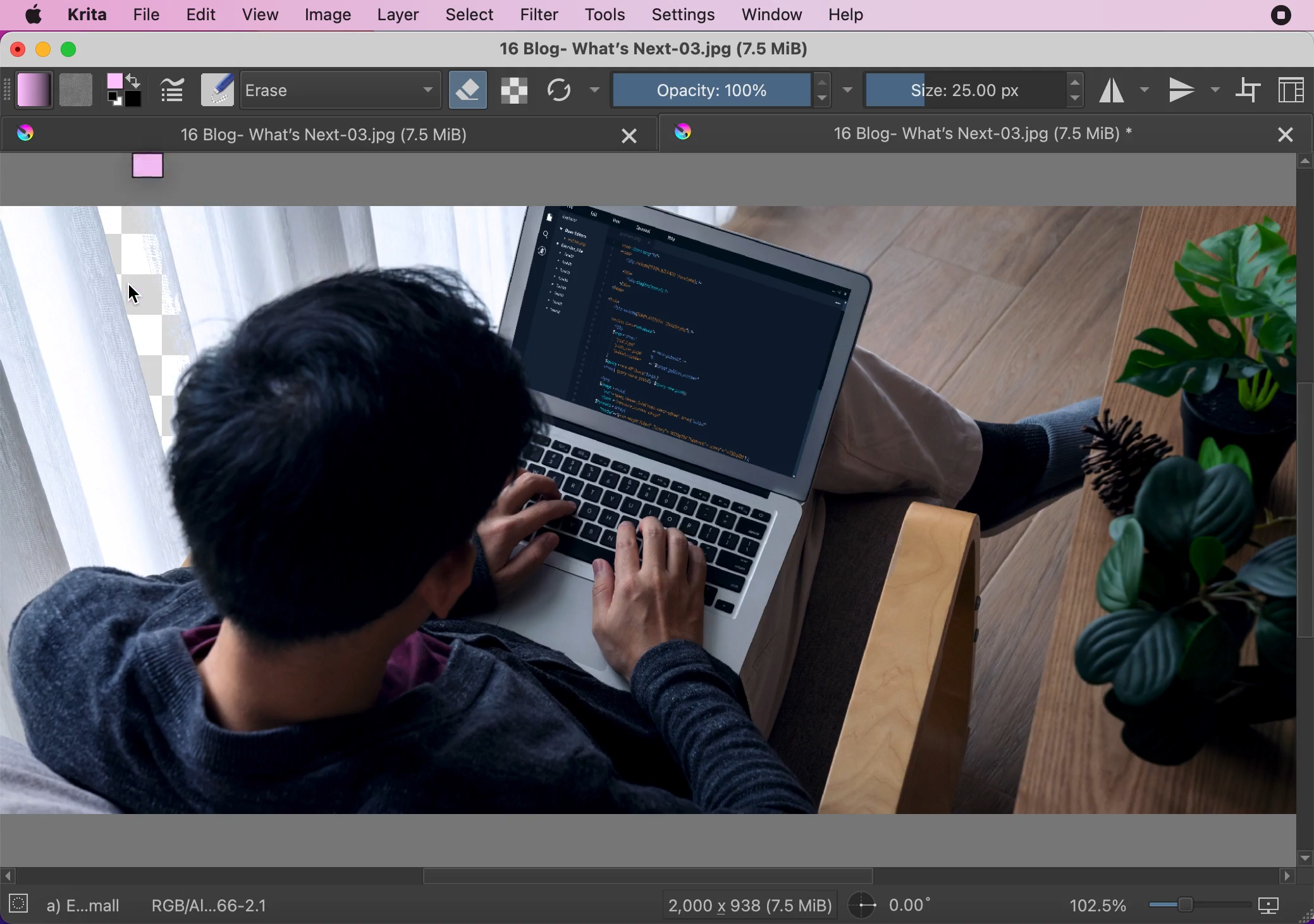 The width and height of the screenshot is (1314, 924). What do you see at coordinates (34, 15) in the screenshot?
I see `mac logo` at bounding box center [34, 15].